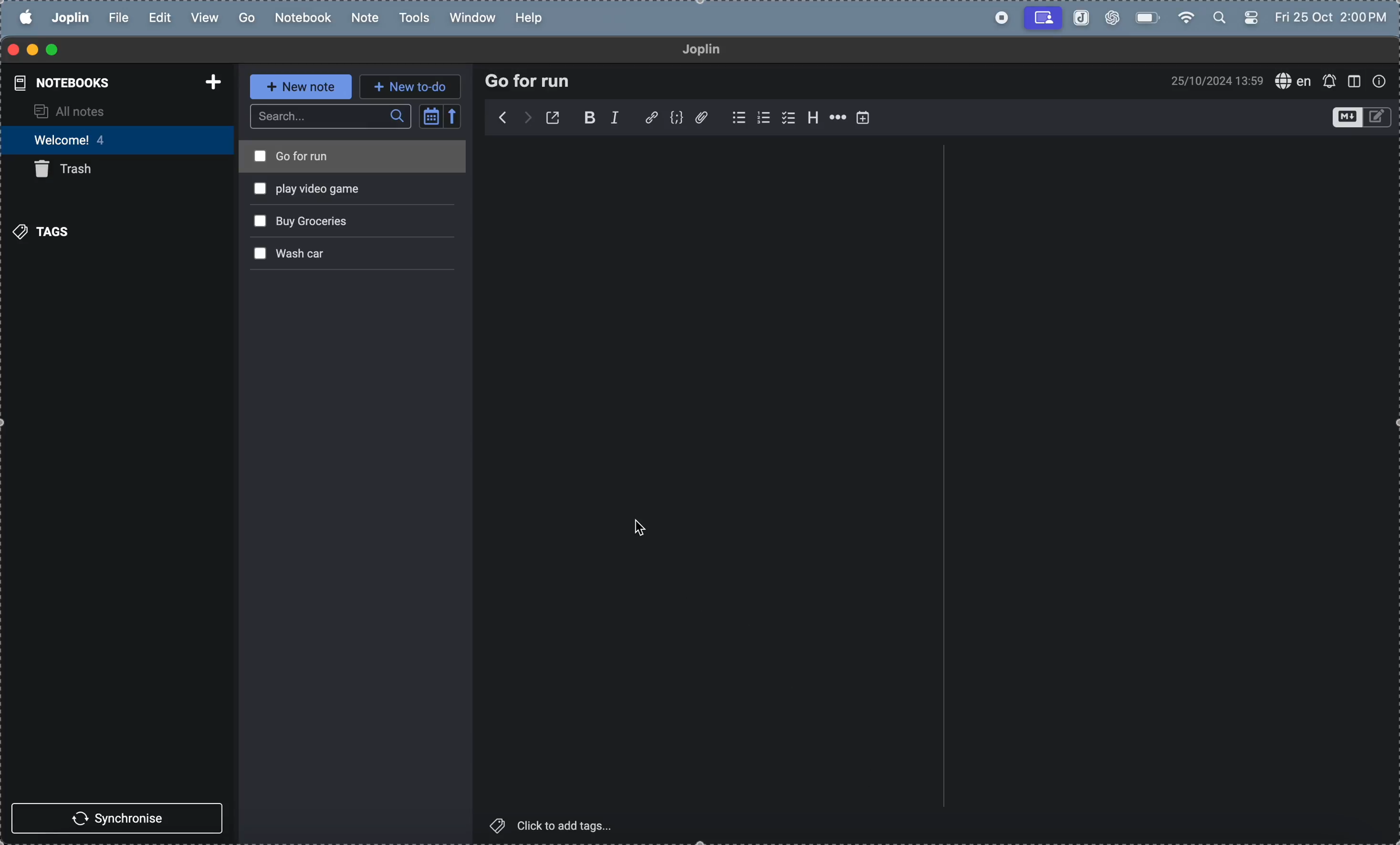  Describe the element at coordinates (1294, 82) in the screenshot. I see `spell check` at that location.